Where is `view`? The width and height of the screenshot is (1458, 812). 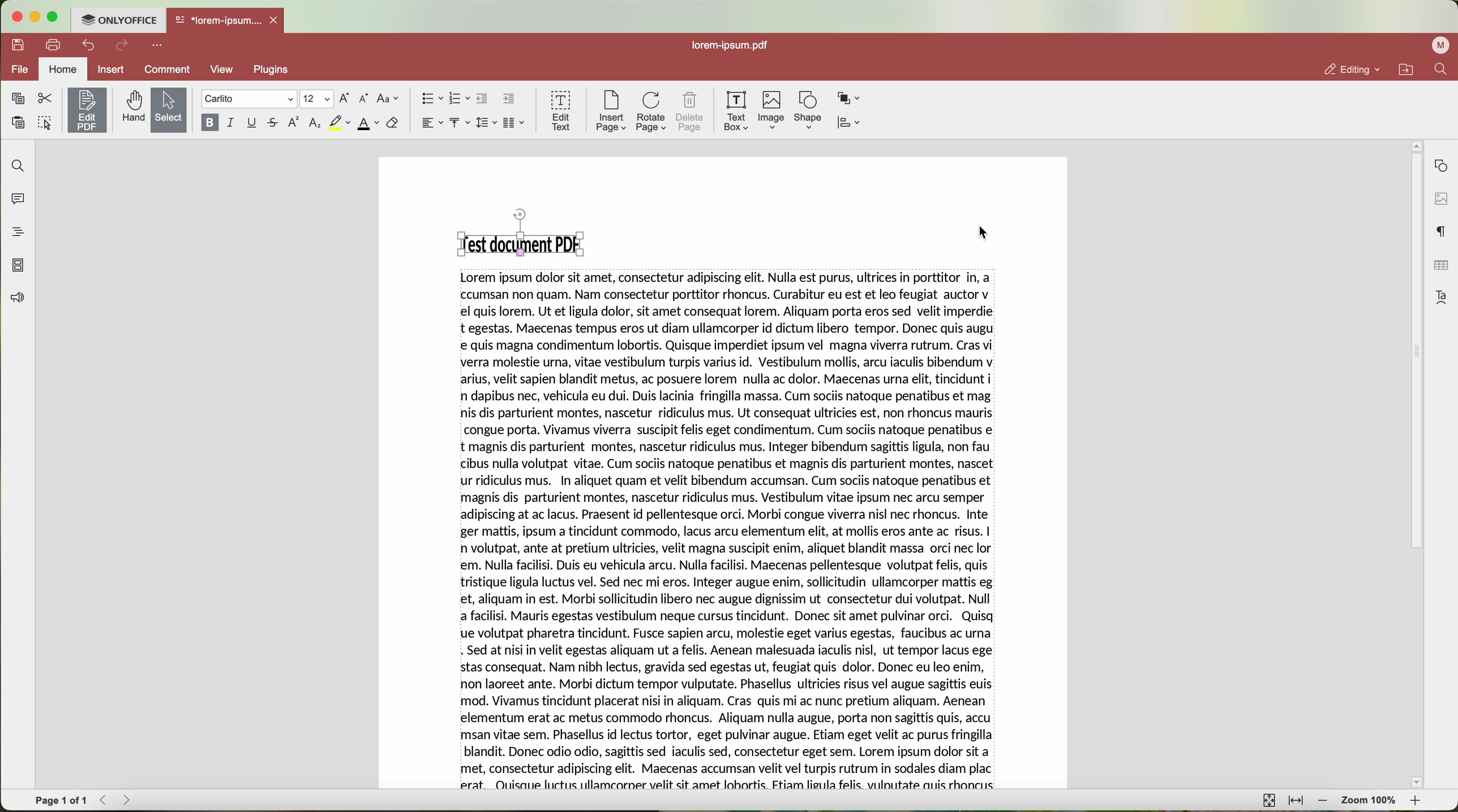 view is located at coordinates (221, 71).